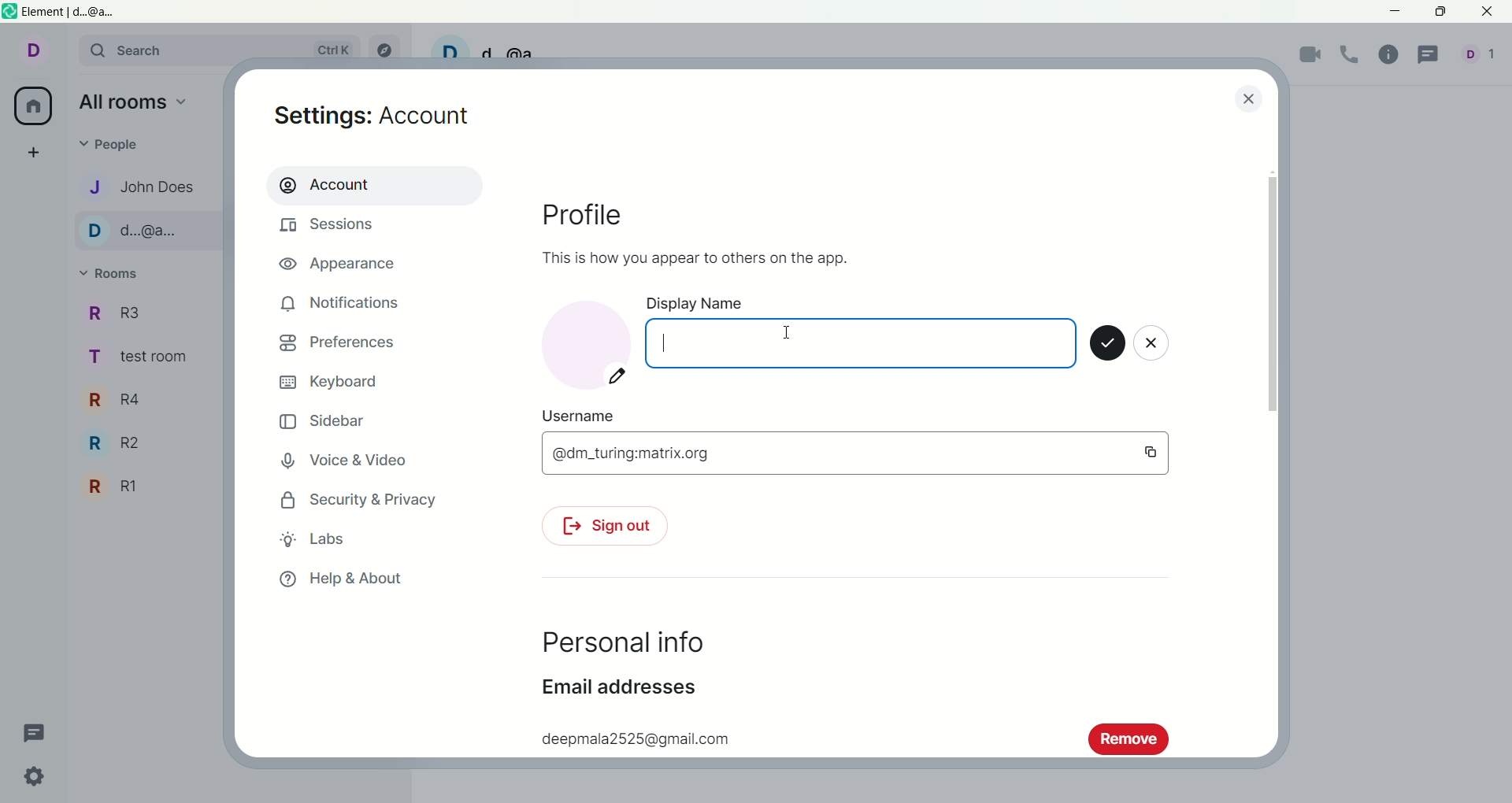 Image resolution: width=1512 pixels, height=803 pixels. Describe the element at coordinates (1274, 455) in the screenshot. I see `vertical scroll bar` at that location.